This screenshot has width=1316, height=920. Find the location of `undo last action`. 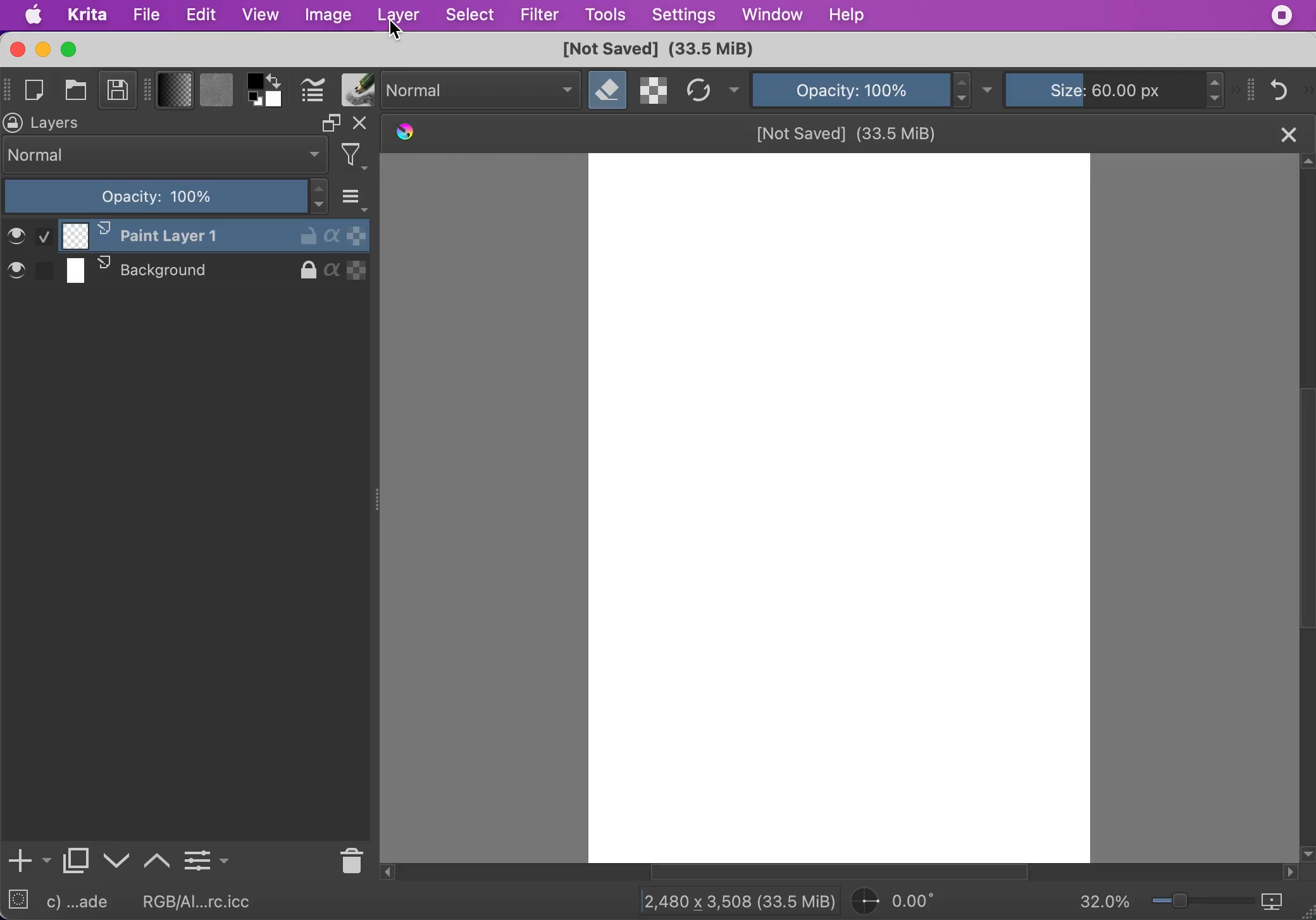

undo last action is located at coordinates (1281, 89).